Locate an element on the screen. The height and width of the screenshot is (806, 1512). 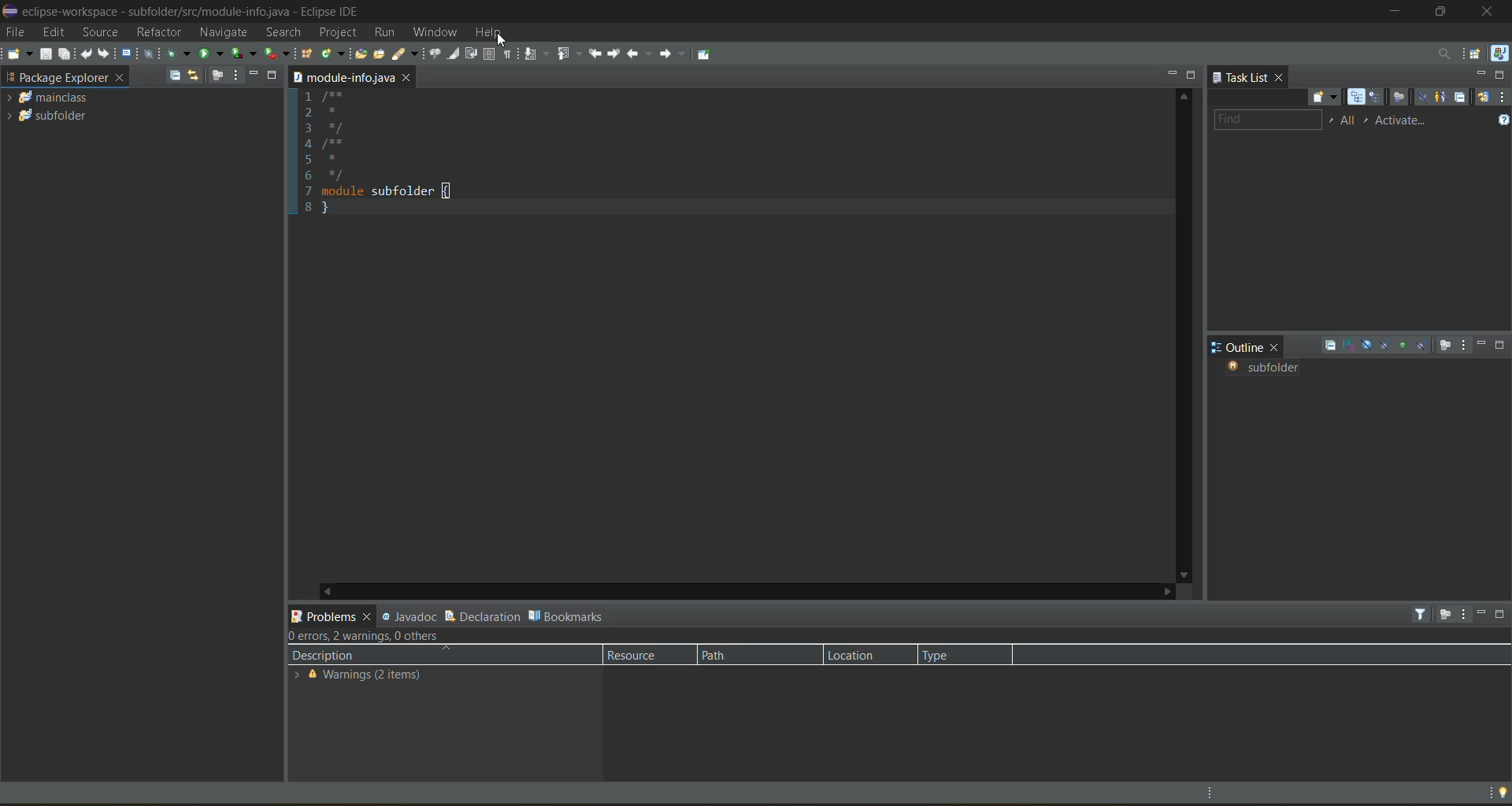
package explorer is located at coordinates (57, 78).